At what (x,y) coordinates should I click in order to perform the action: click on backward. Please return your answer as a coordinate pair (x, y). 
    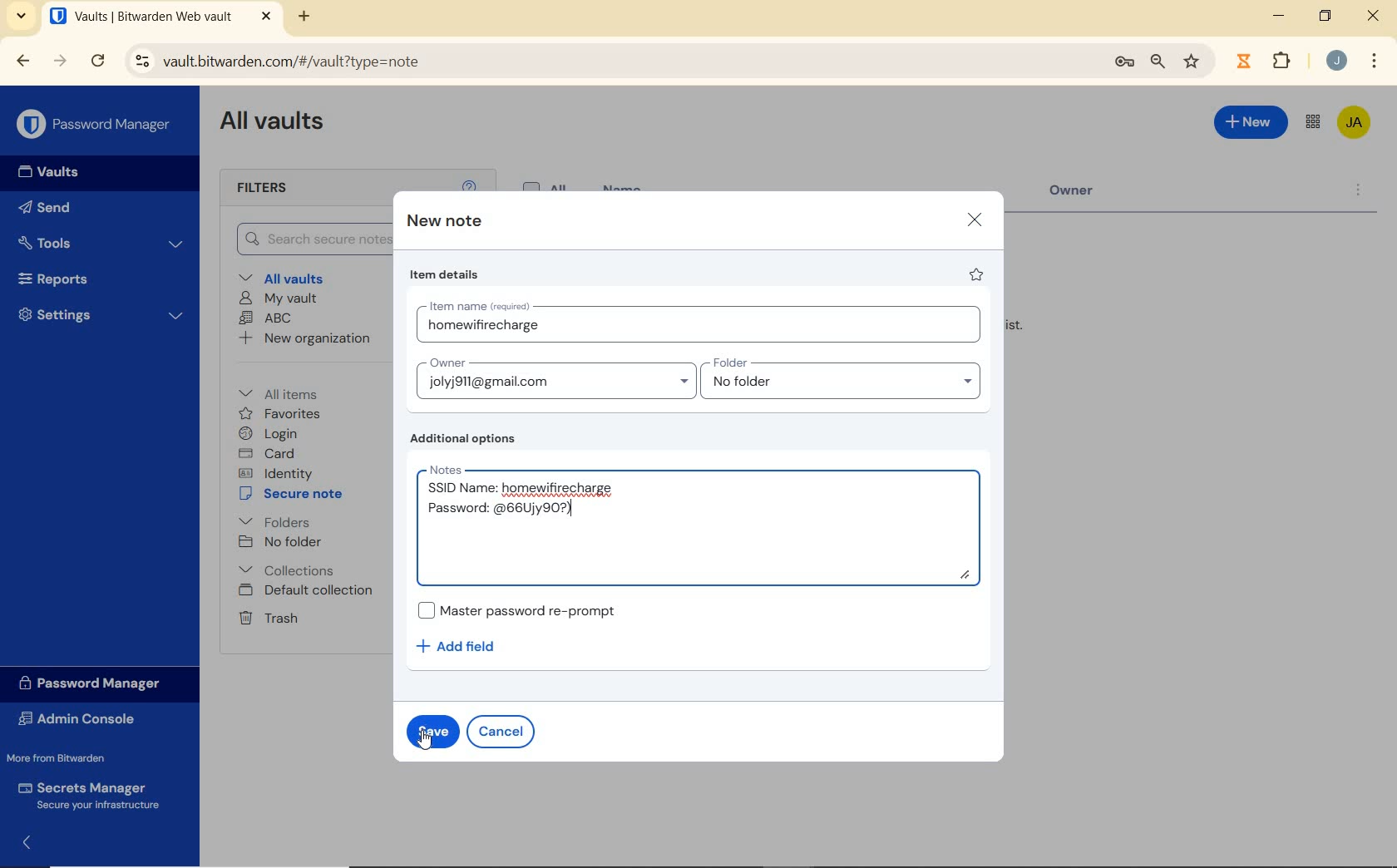
    Looking at the image, I should click on (23, 62).